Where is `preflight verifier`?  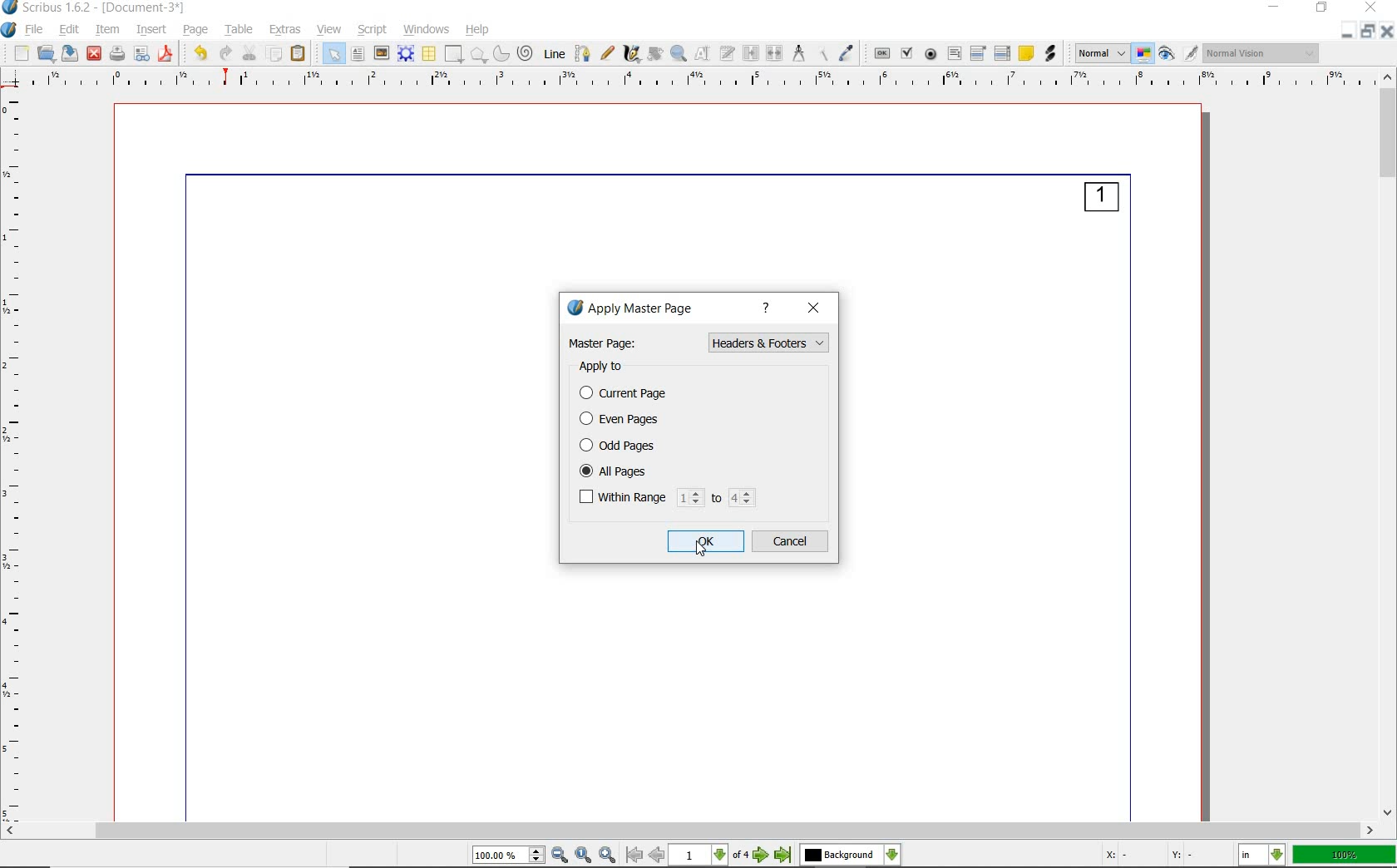
preflight verifier is located at coordinates (143, 54).